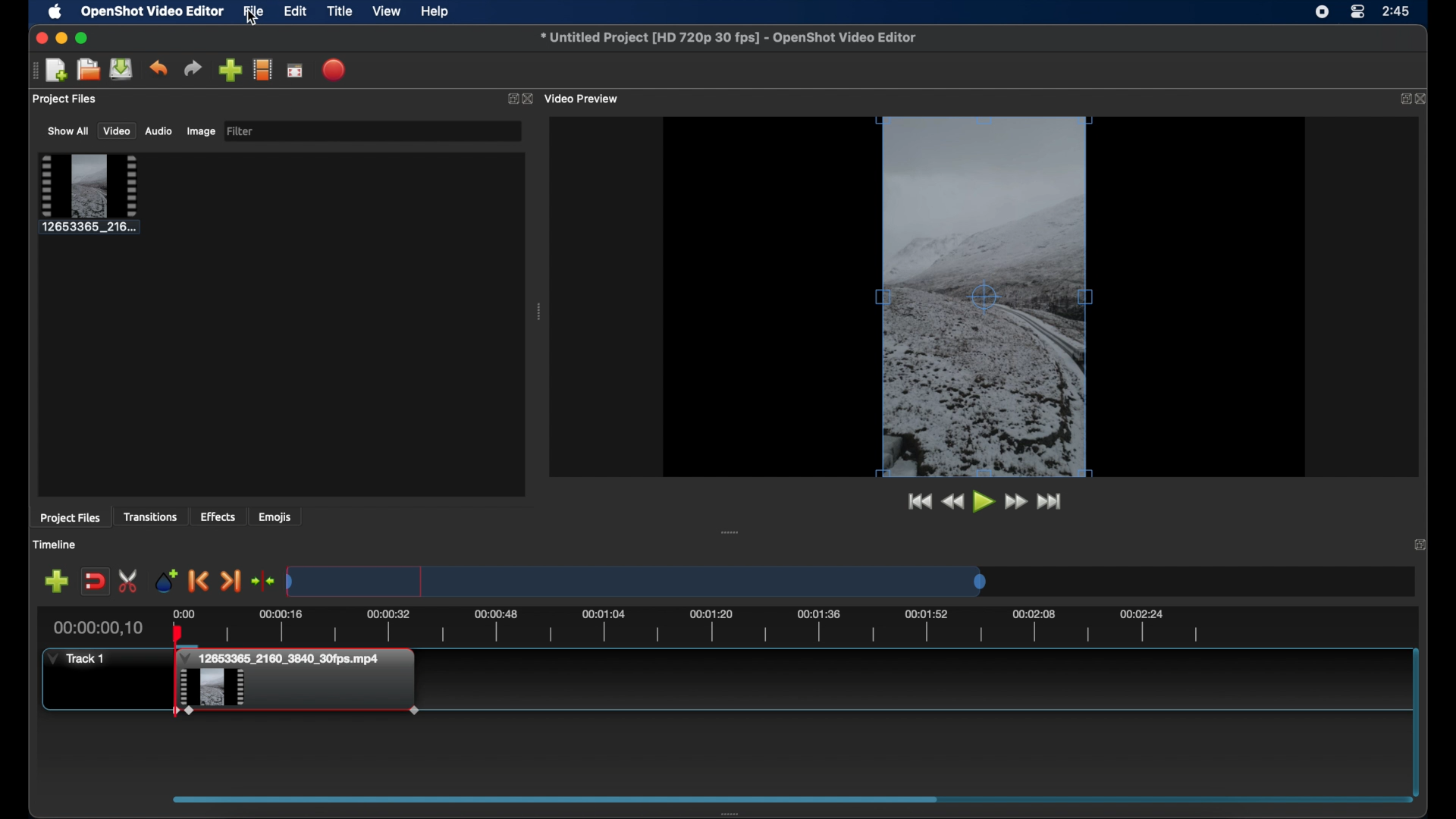  What do you see at coordinates (254, 20) in the screenshot?
I see `cursor` at bounding box center [254, 20].